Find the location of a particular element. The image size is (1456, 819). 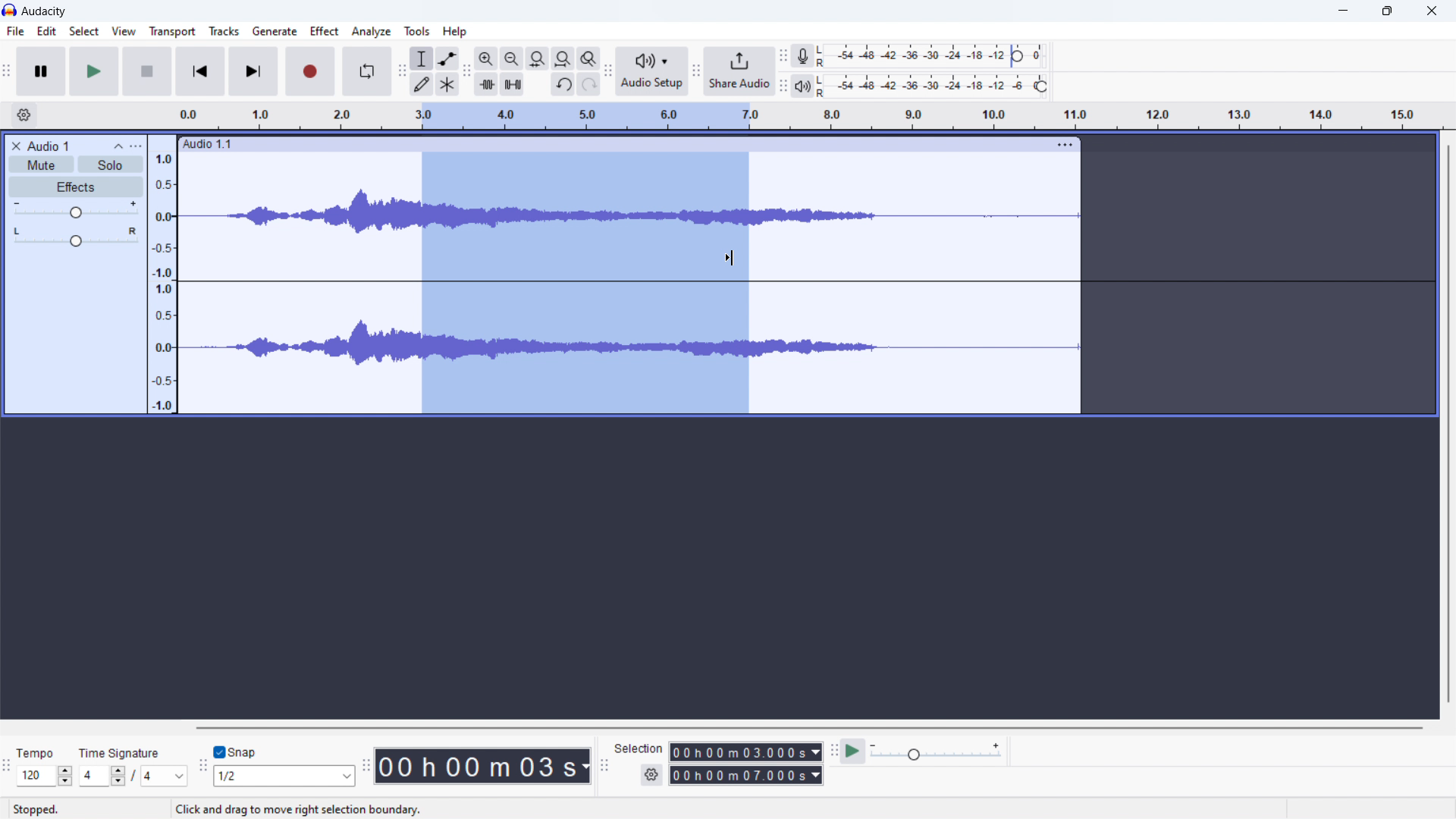

cursor is located at coordinates (730, 255).